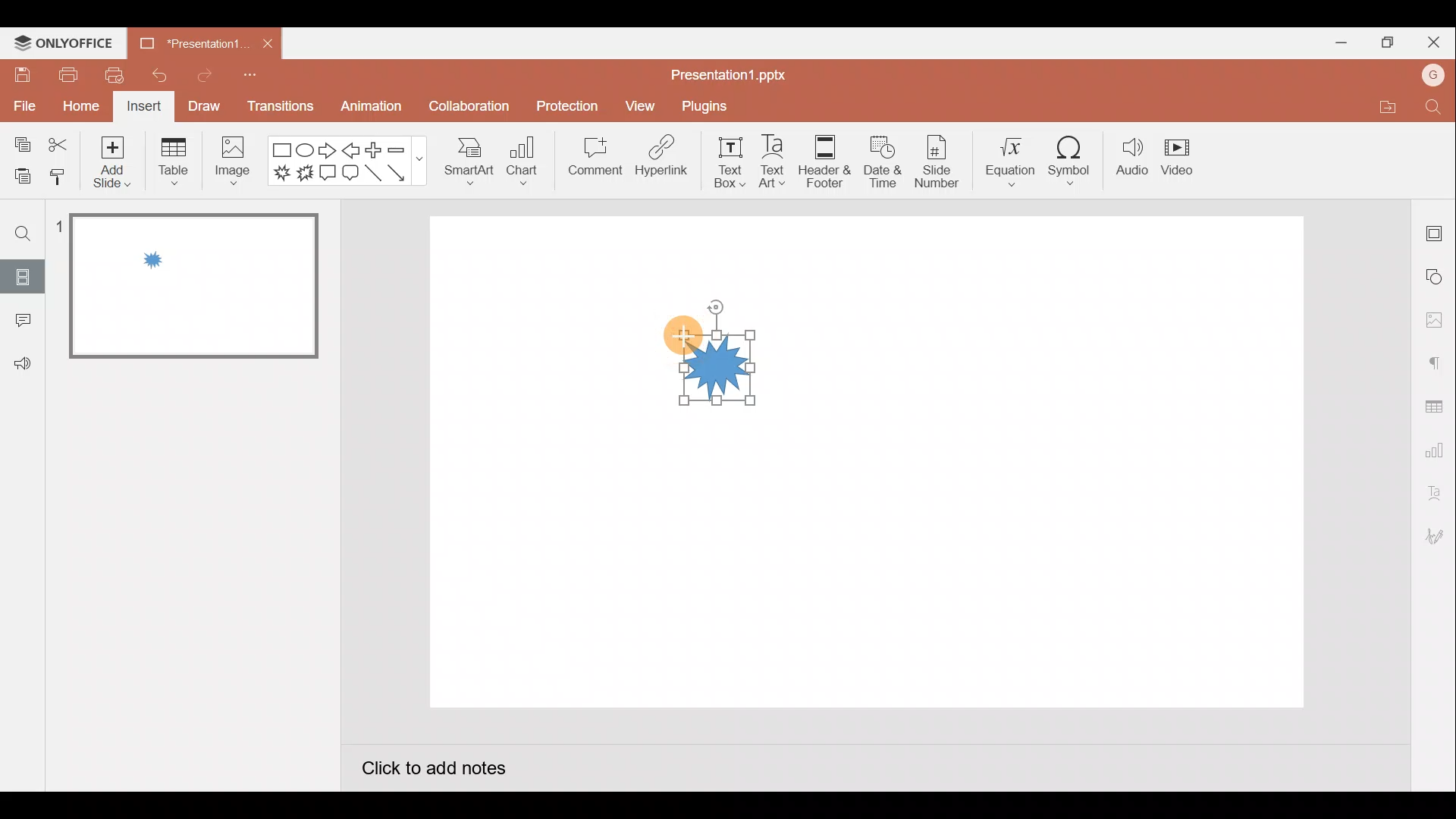 The image size is (1456, 819). I want to click on Left arrow, so click(352, 149).